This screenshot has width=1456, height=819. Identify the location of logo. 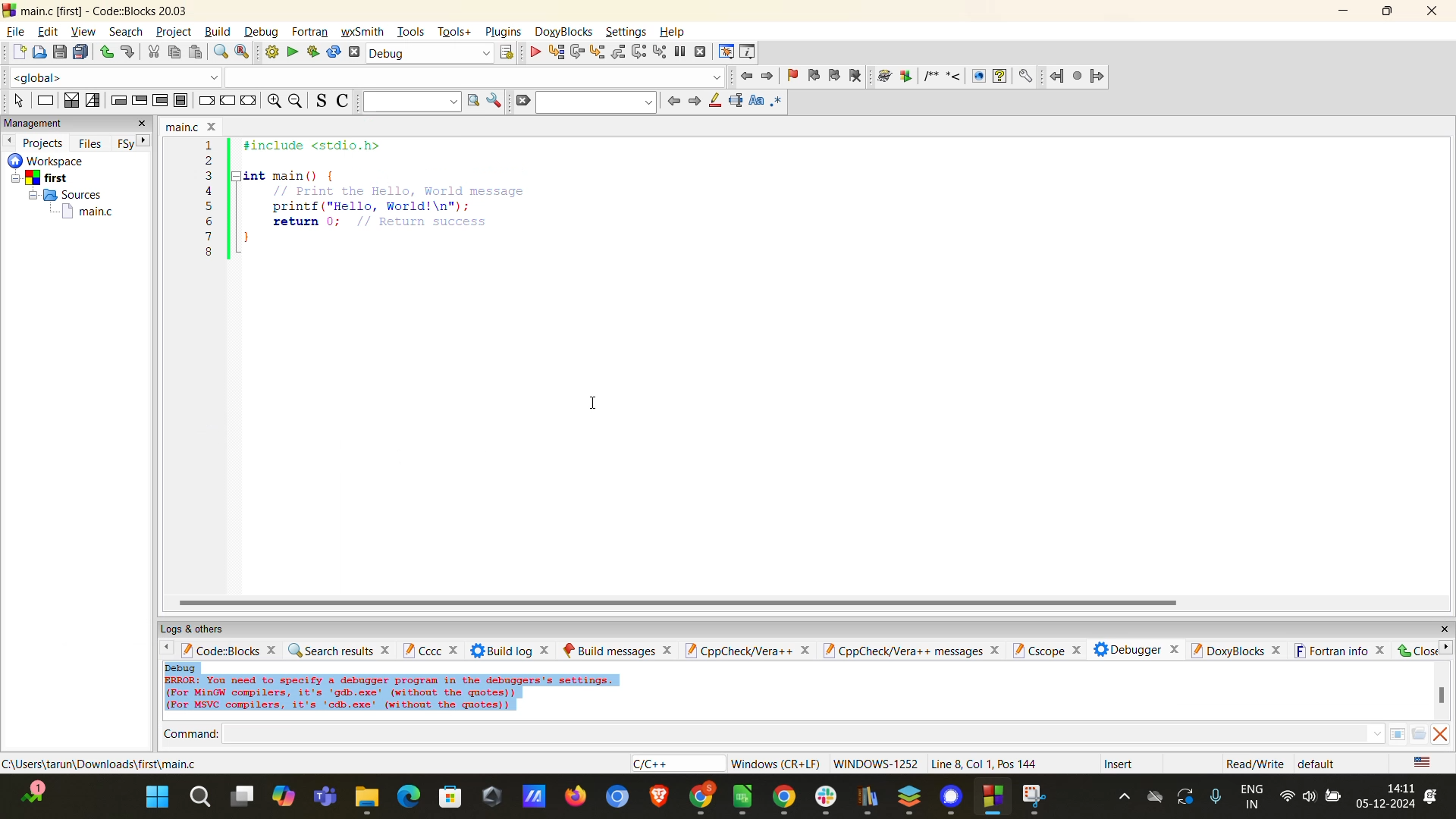
(535, 797).